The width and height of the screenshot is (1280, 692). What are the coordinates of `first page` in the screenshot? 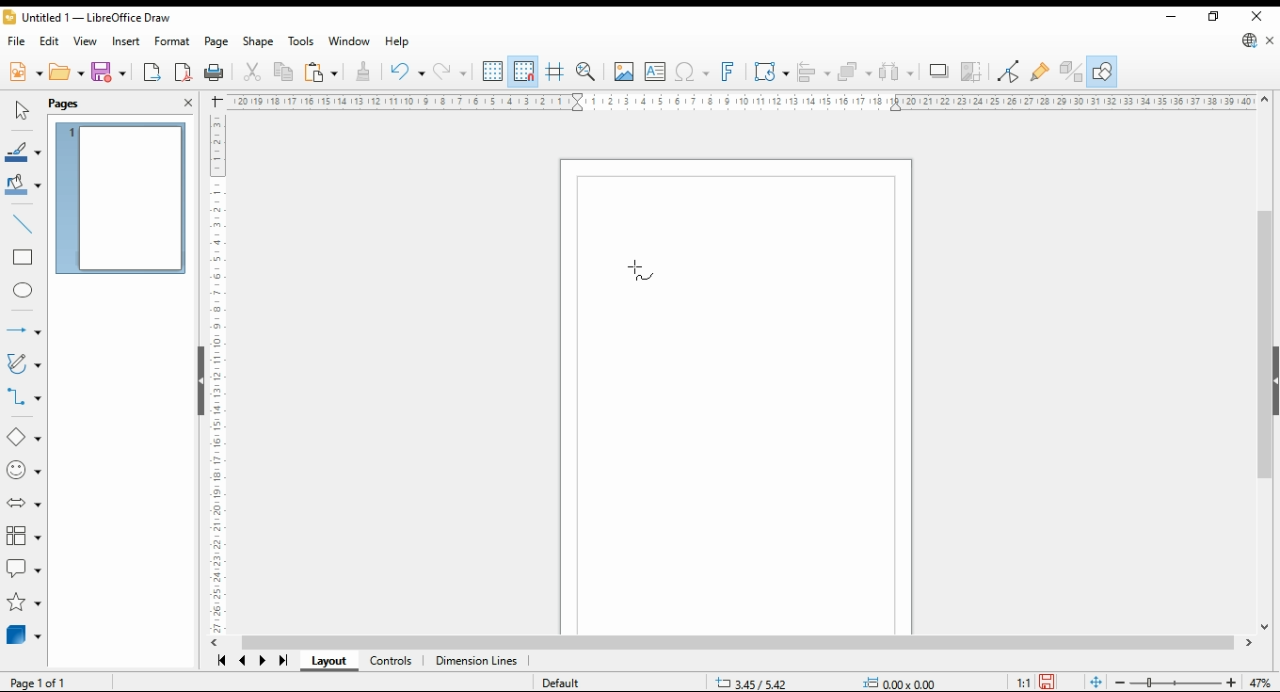 It's located at (221, 660).